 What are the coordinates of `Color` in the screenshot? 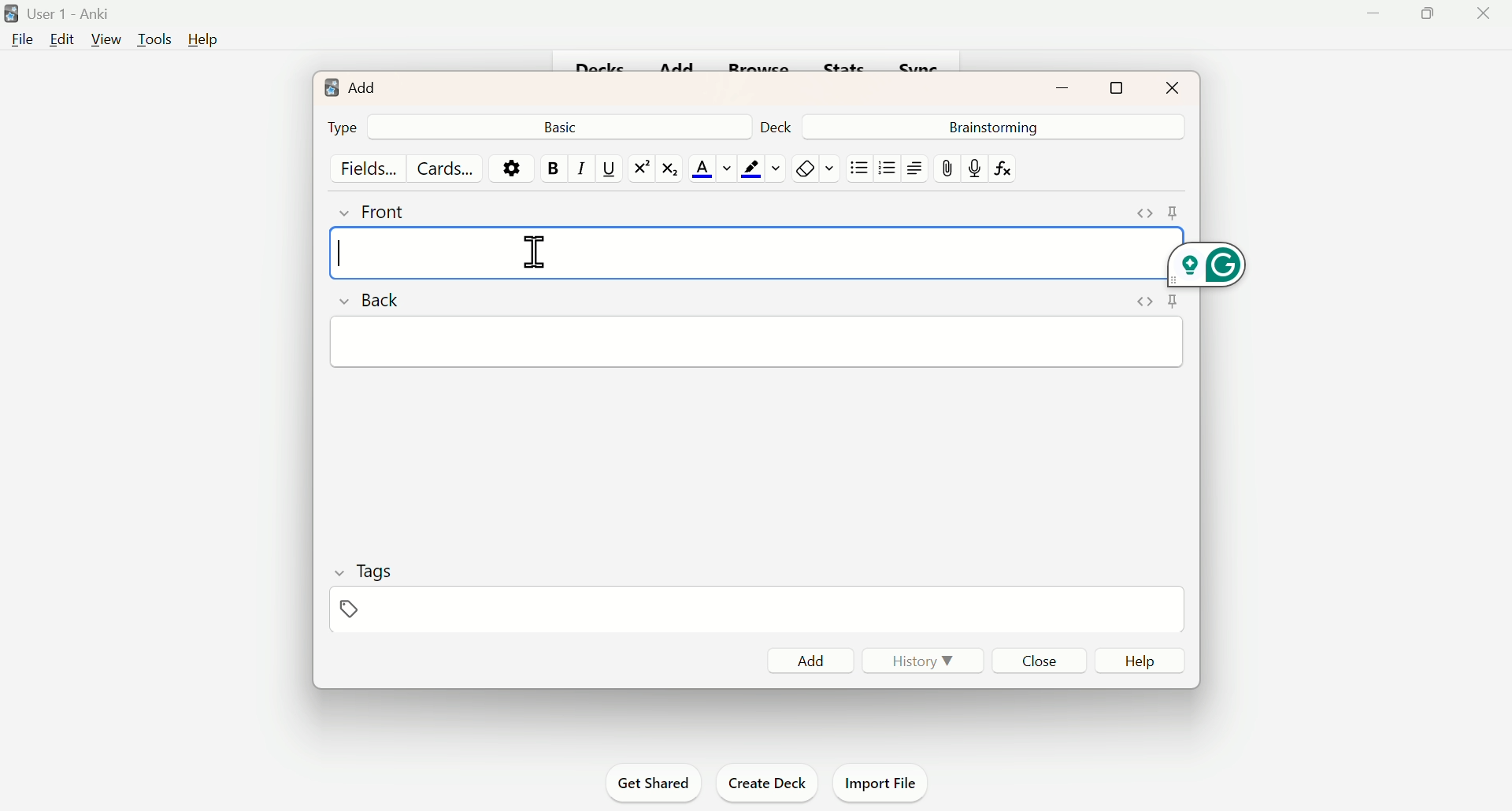 It's located at (761, 168).